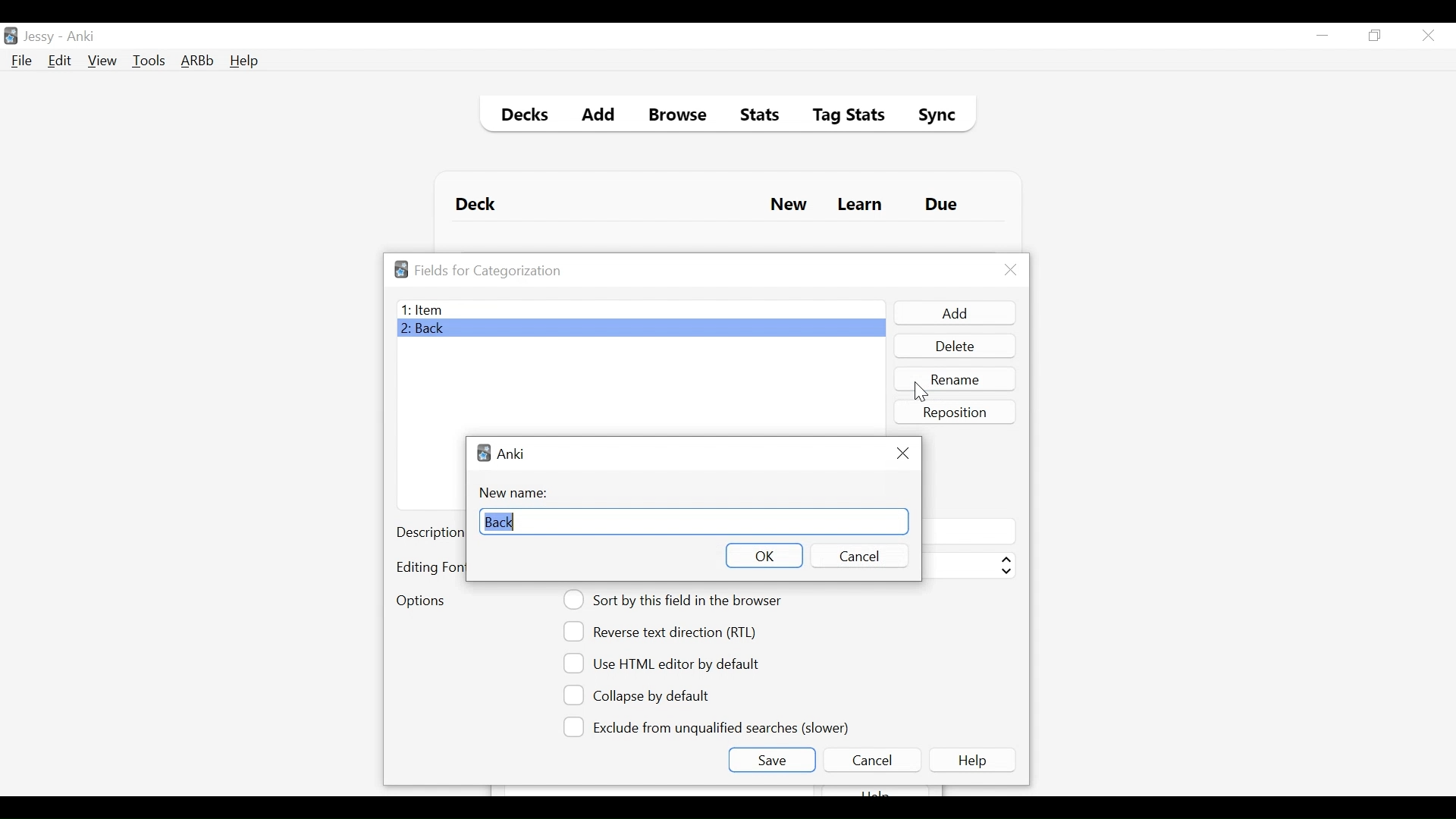 This screenshot has width=1456, height=819. What do you see at coordinates (484, 453) in the screenshot?
I see `Anki logo` at bounding box center [484, 453].